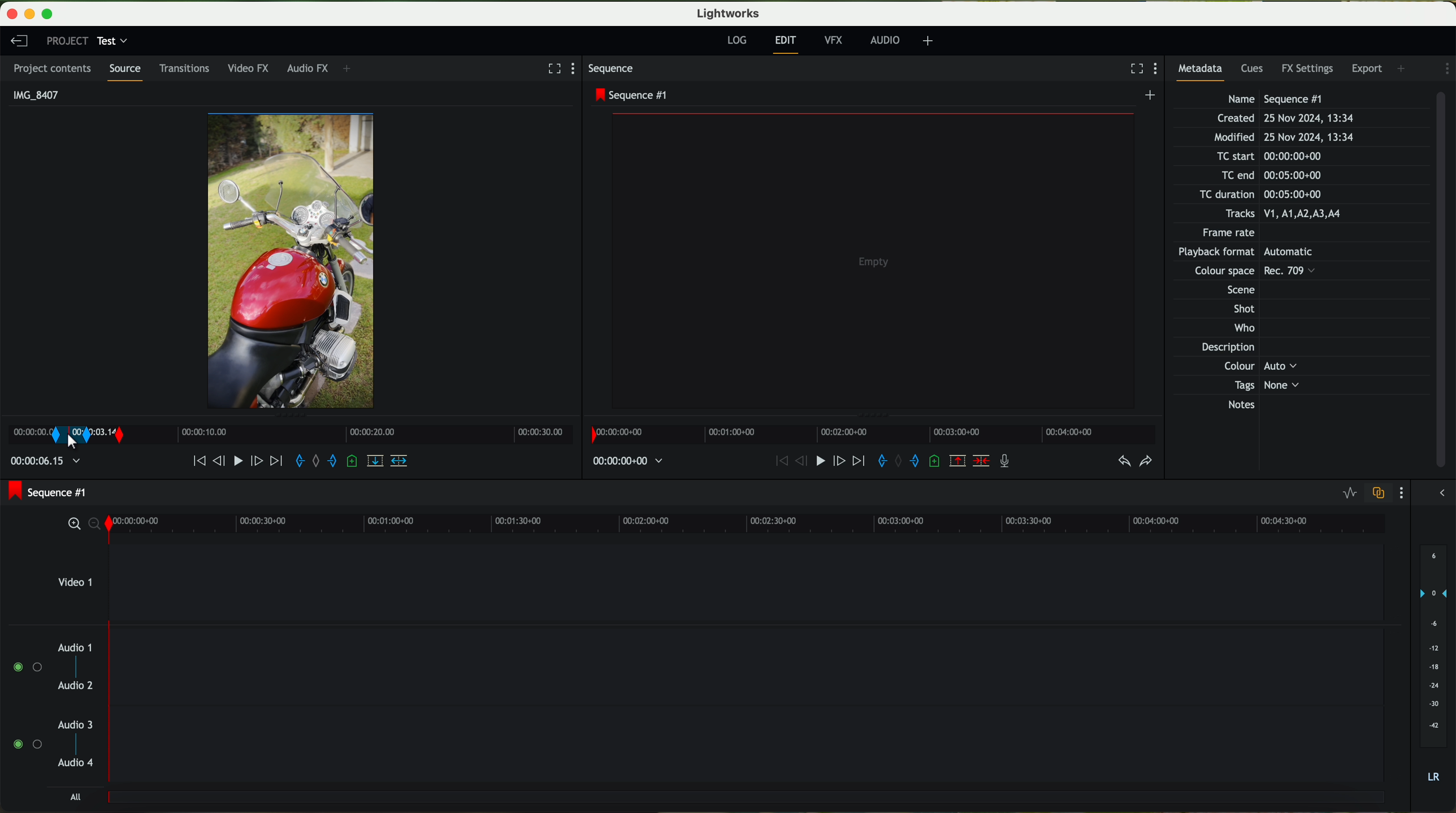 The width and height of the screenshot is (1456, 813). What do you see at coordinates (1350, 494) in the screenshot?
I see `toggle audio levels editing` at bounding box center [1350, 494].